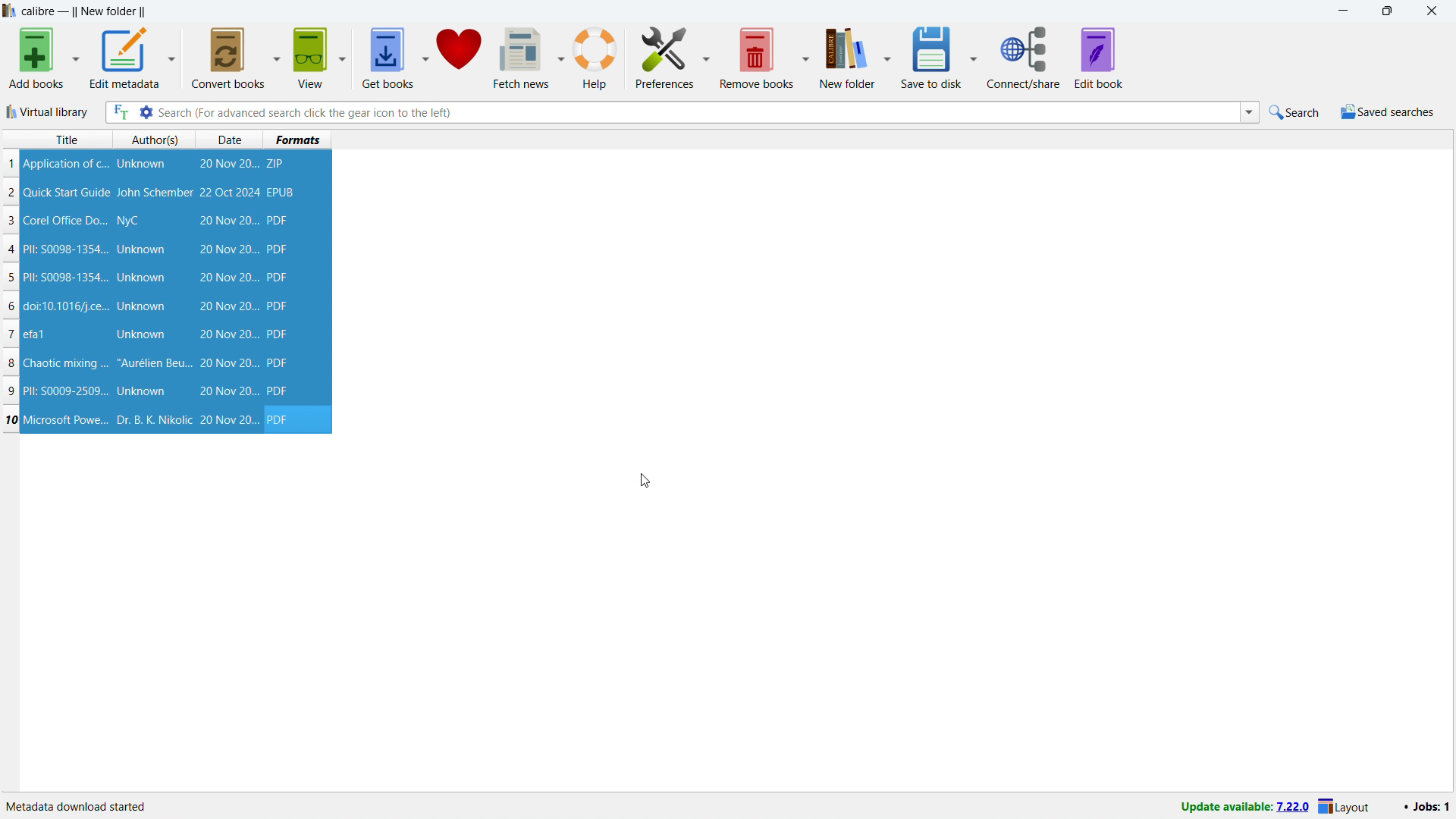 The image size is (1456, 819). Describe the element at coordinates (11, 164) in the screenshot. I see `1` at that location.